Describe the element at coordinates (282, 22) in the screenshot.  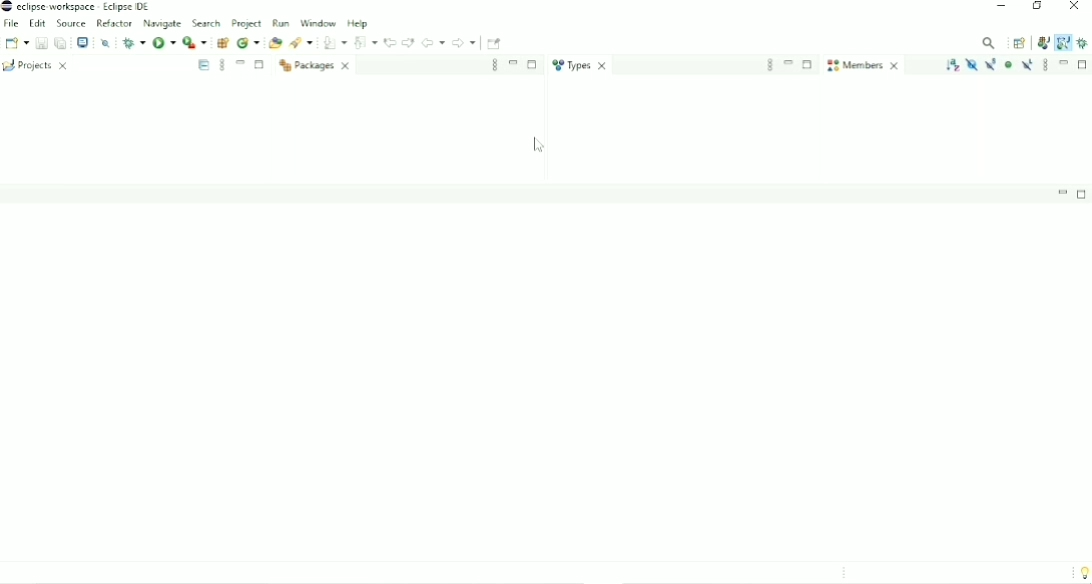
I see `Run` at that location.